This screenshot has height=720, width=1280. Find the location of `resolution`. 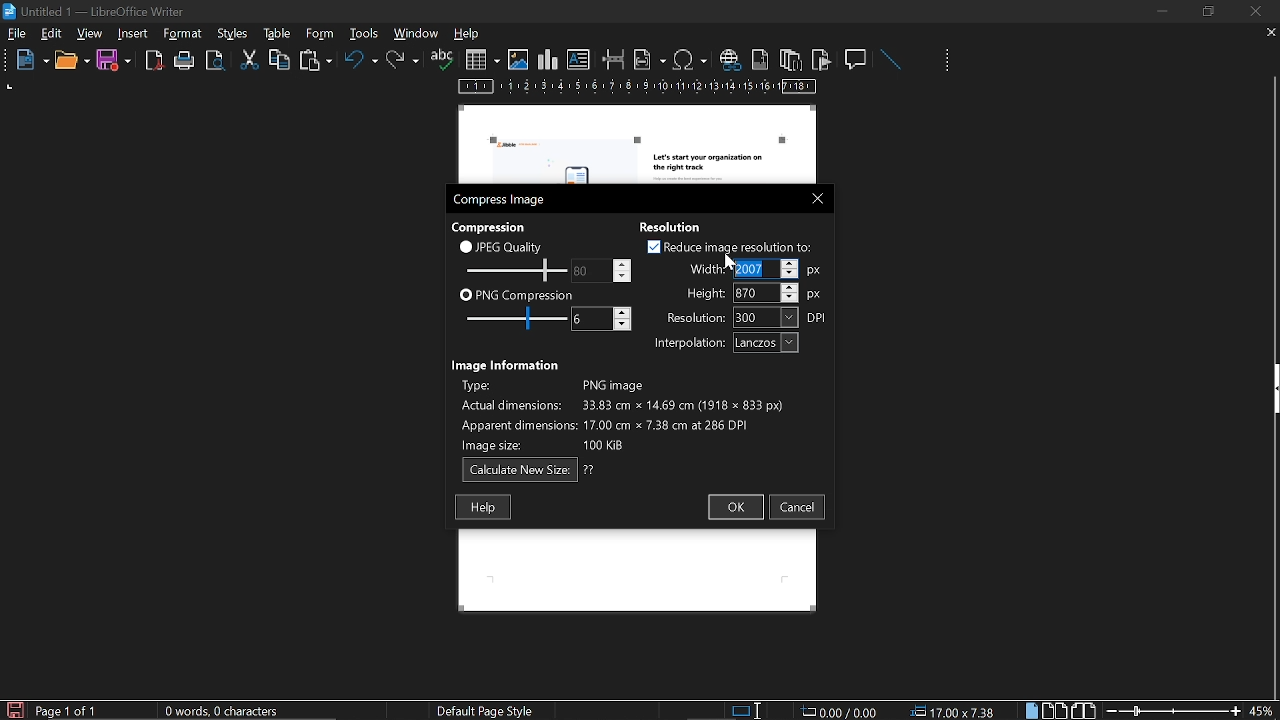

resolution is located at coordinates (747, 317).